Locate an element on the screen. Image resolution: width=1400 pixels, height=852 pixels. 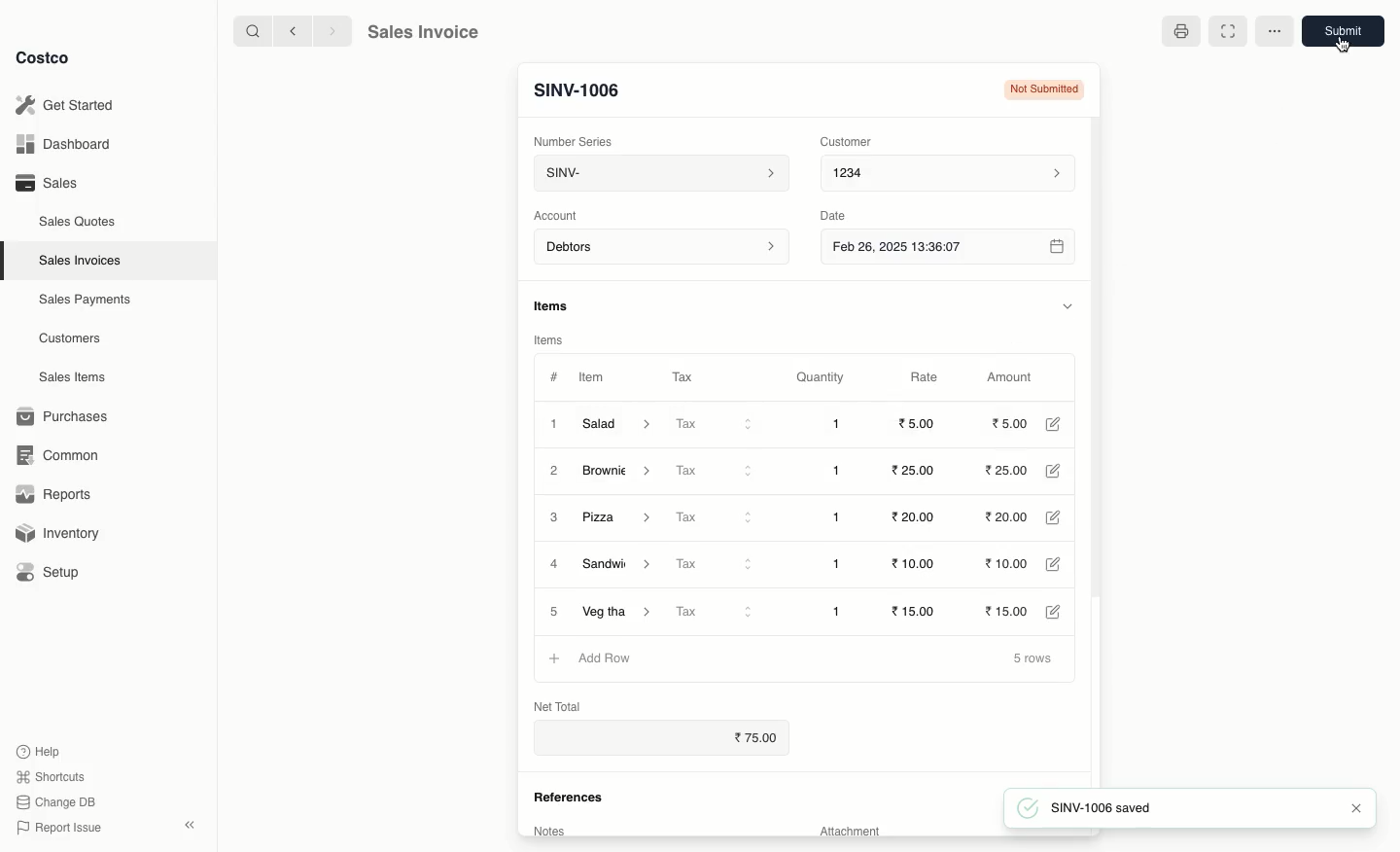
Add is located at coordinates (556, 657).